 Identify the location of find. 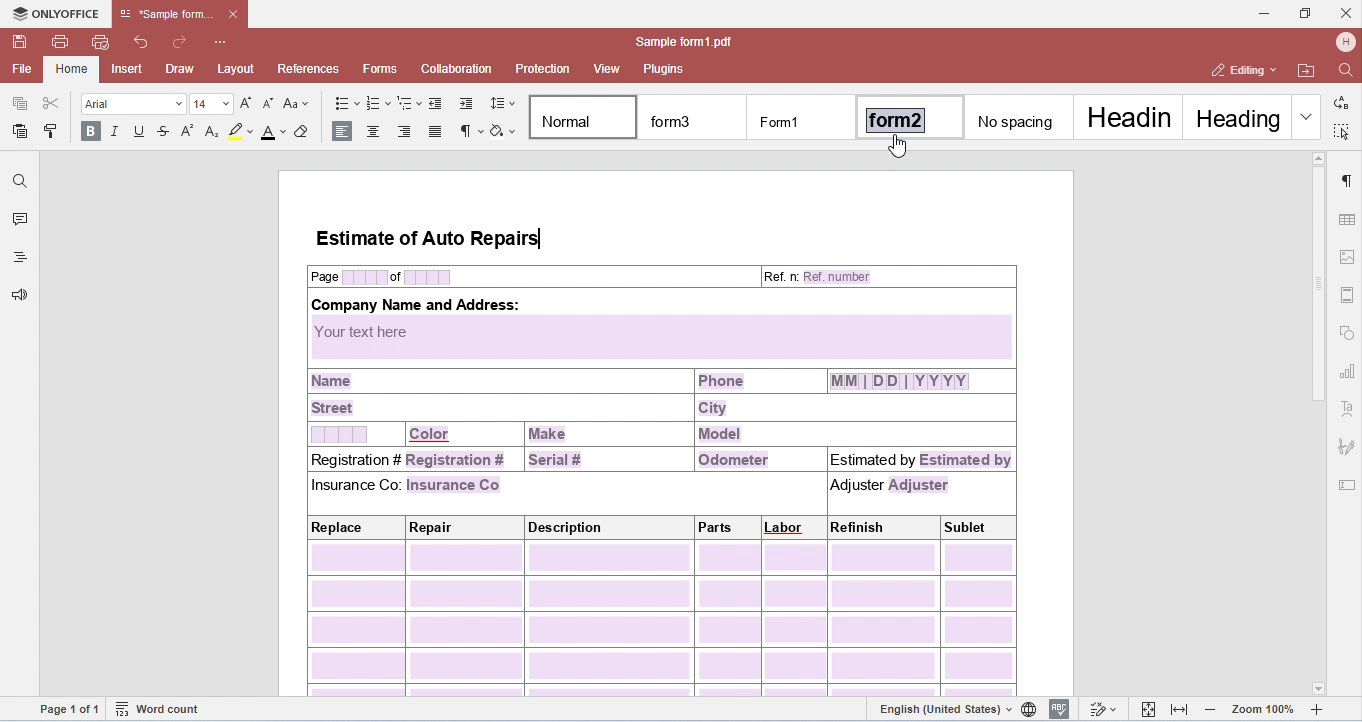
(20, 182).